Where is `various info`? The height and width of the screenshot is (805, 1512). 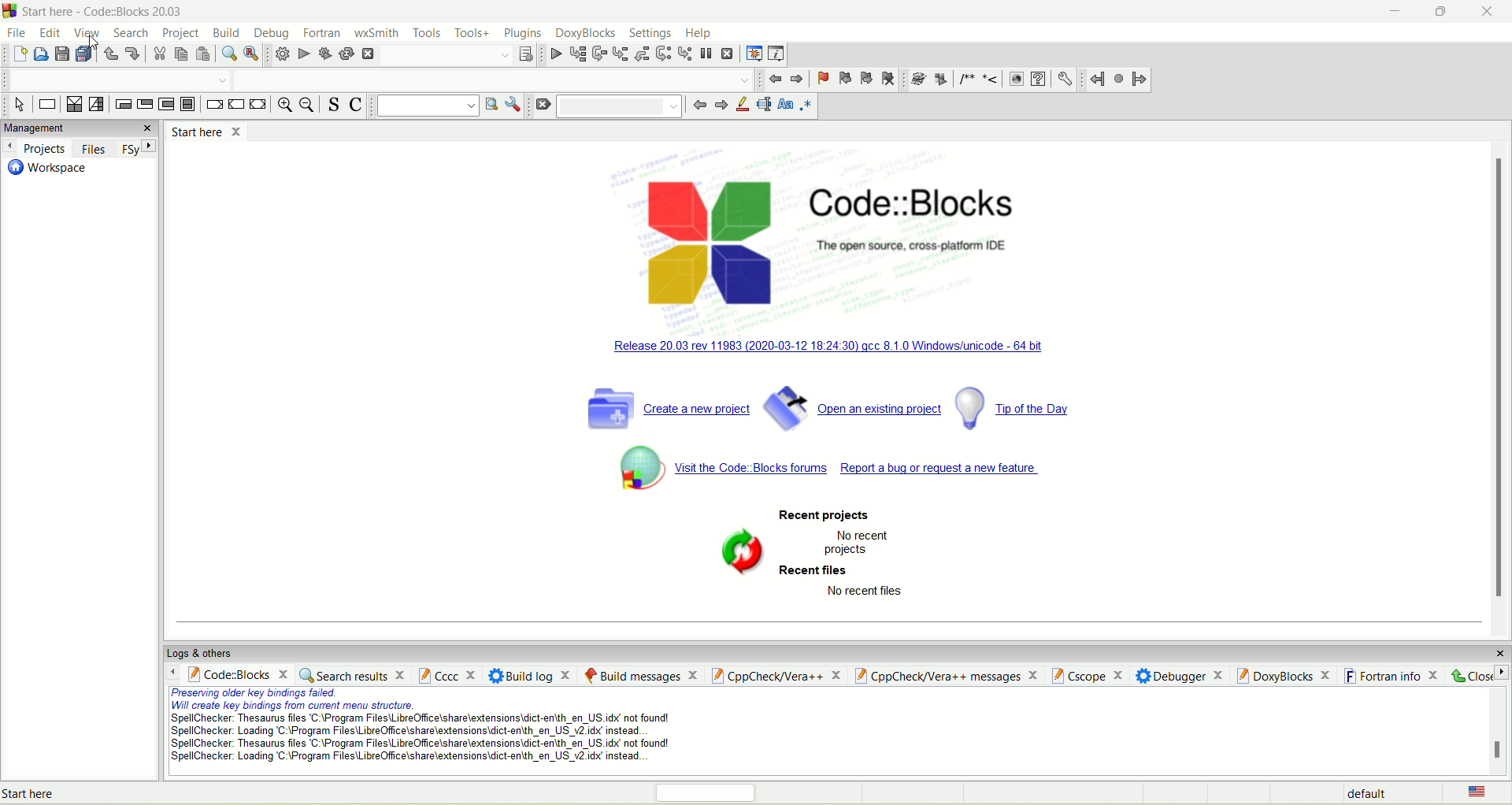 various info is located at coordinates (774, 54).